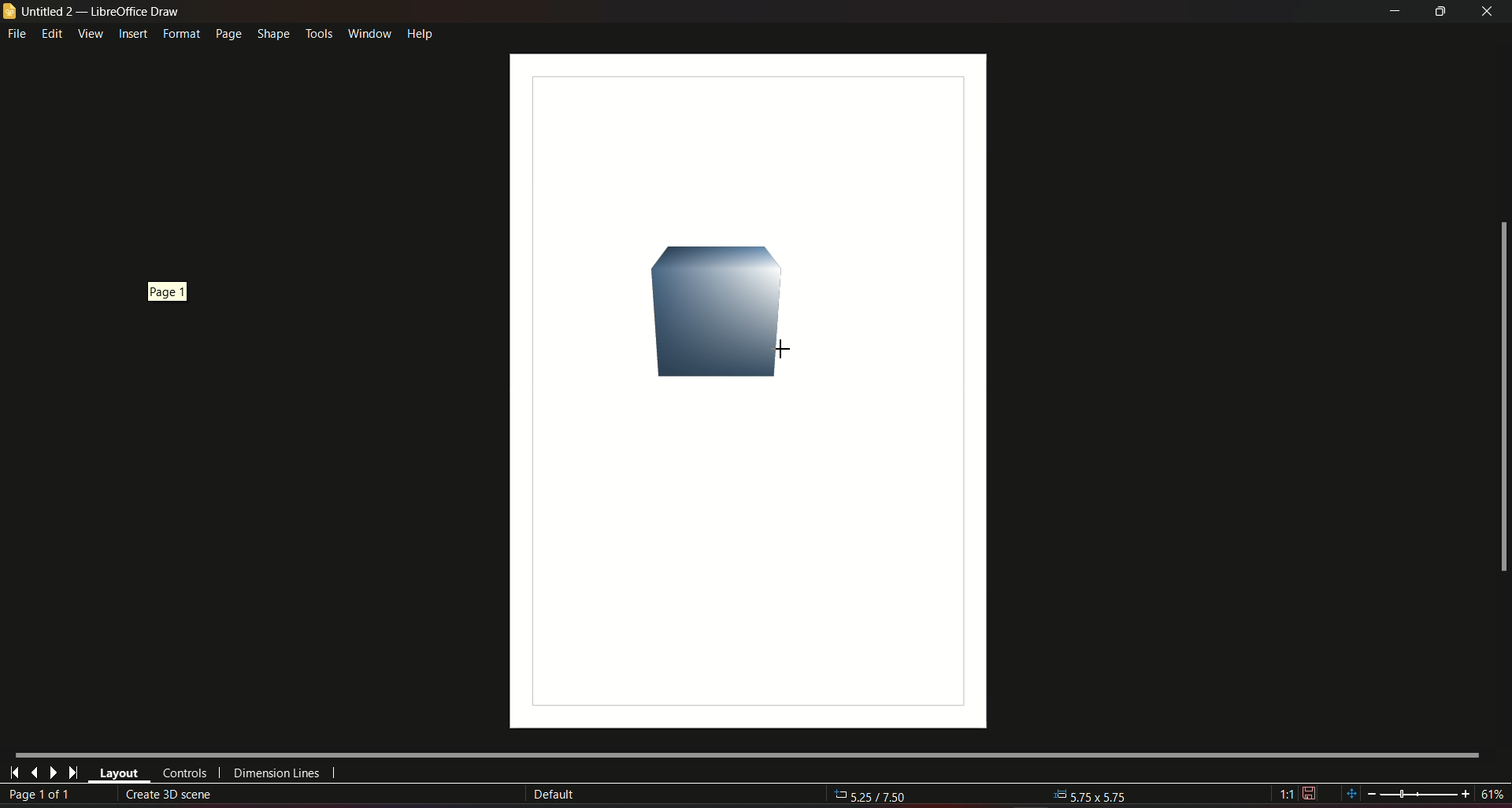  Describe the element at coordinates (776, 350) in the screenshot. I see `Cursor` at that location.